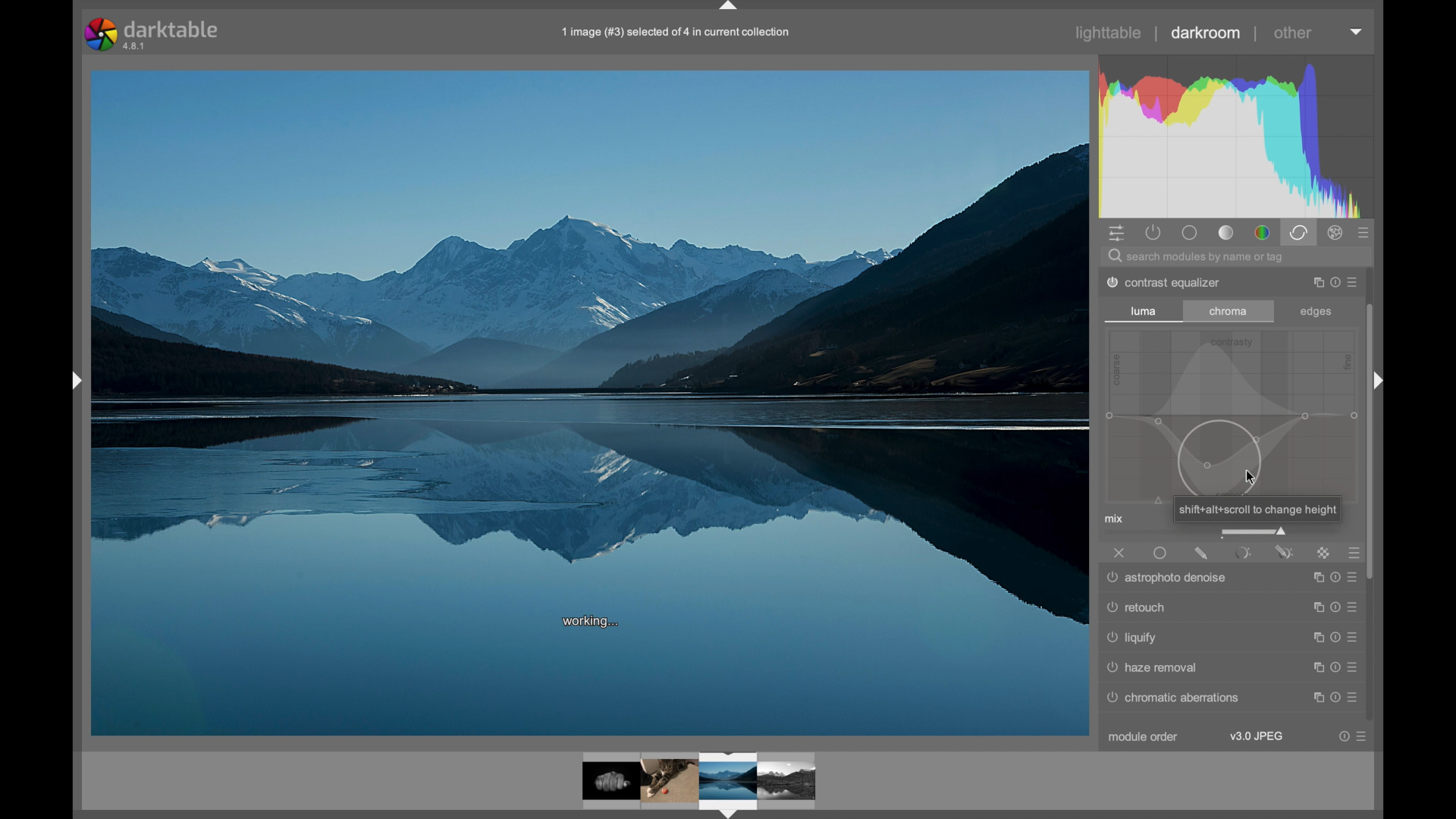 The width and height of the screenshot is (1456, 819). What do you see at coordinates (1161, 637) in the screenshot?
I see `denoise` at bounding box center [1161, 637].